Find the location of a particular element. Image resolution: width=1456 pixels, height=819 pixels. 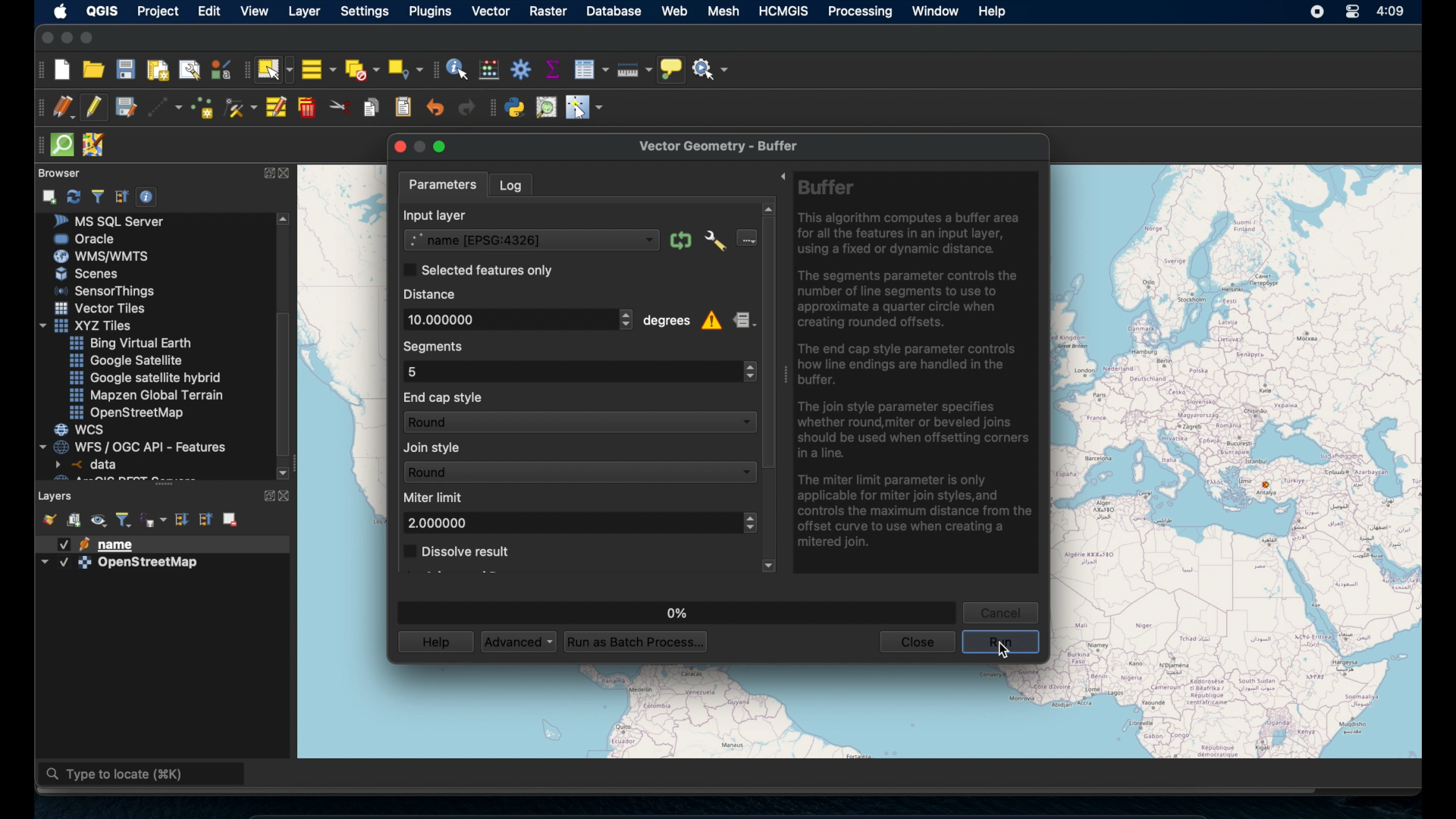

filter legend by expression is located at coordinates (154, 519).